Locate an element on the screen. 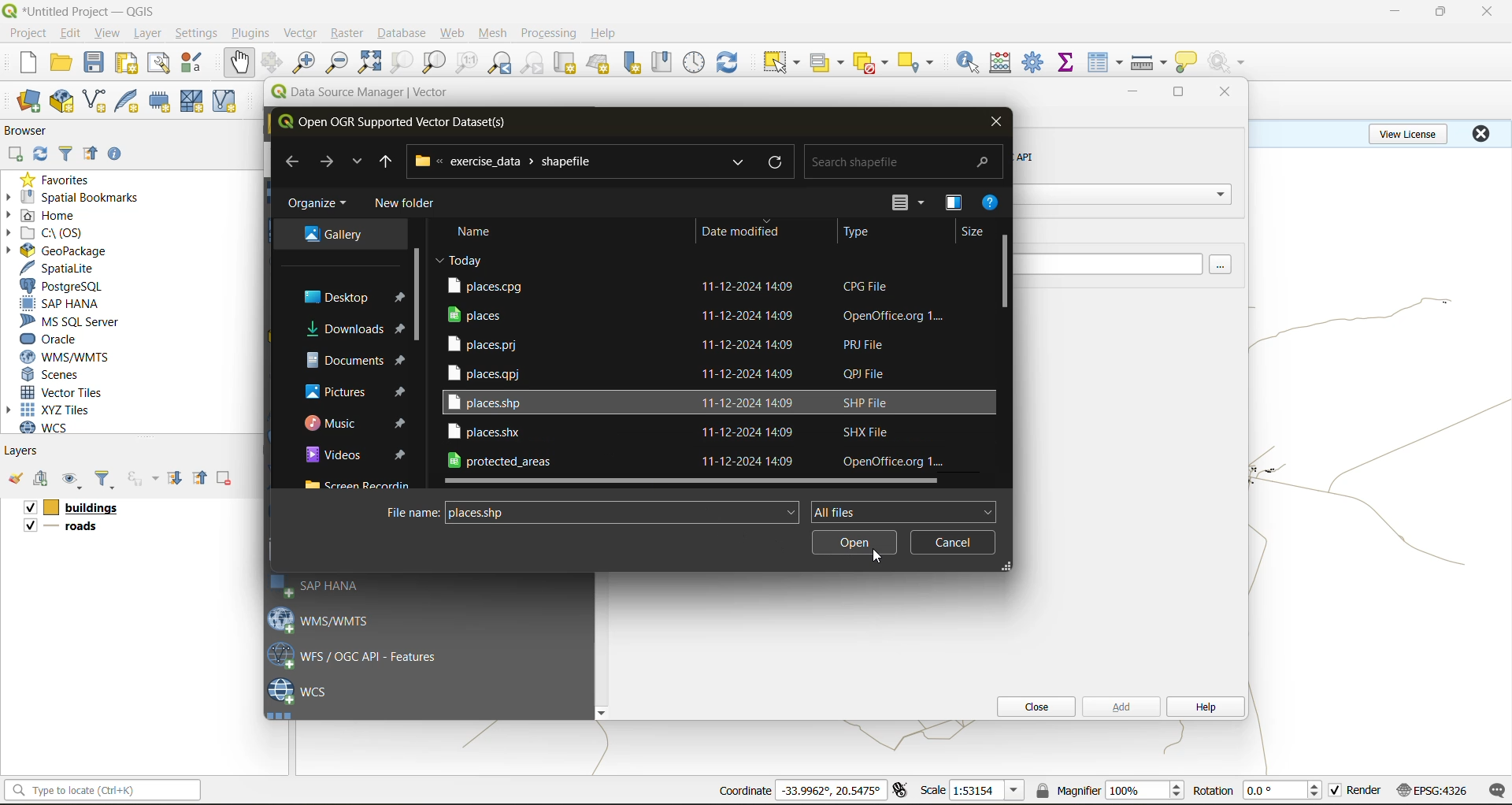 The height and width of the screenshot is (805, 1512). show preview pane is located at coordinates (952, 204).